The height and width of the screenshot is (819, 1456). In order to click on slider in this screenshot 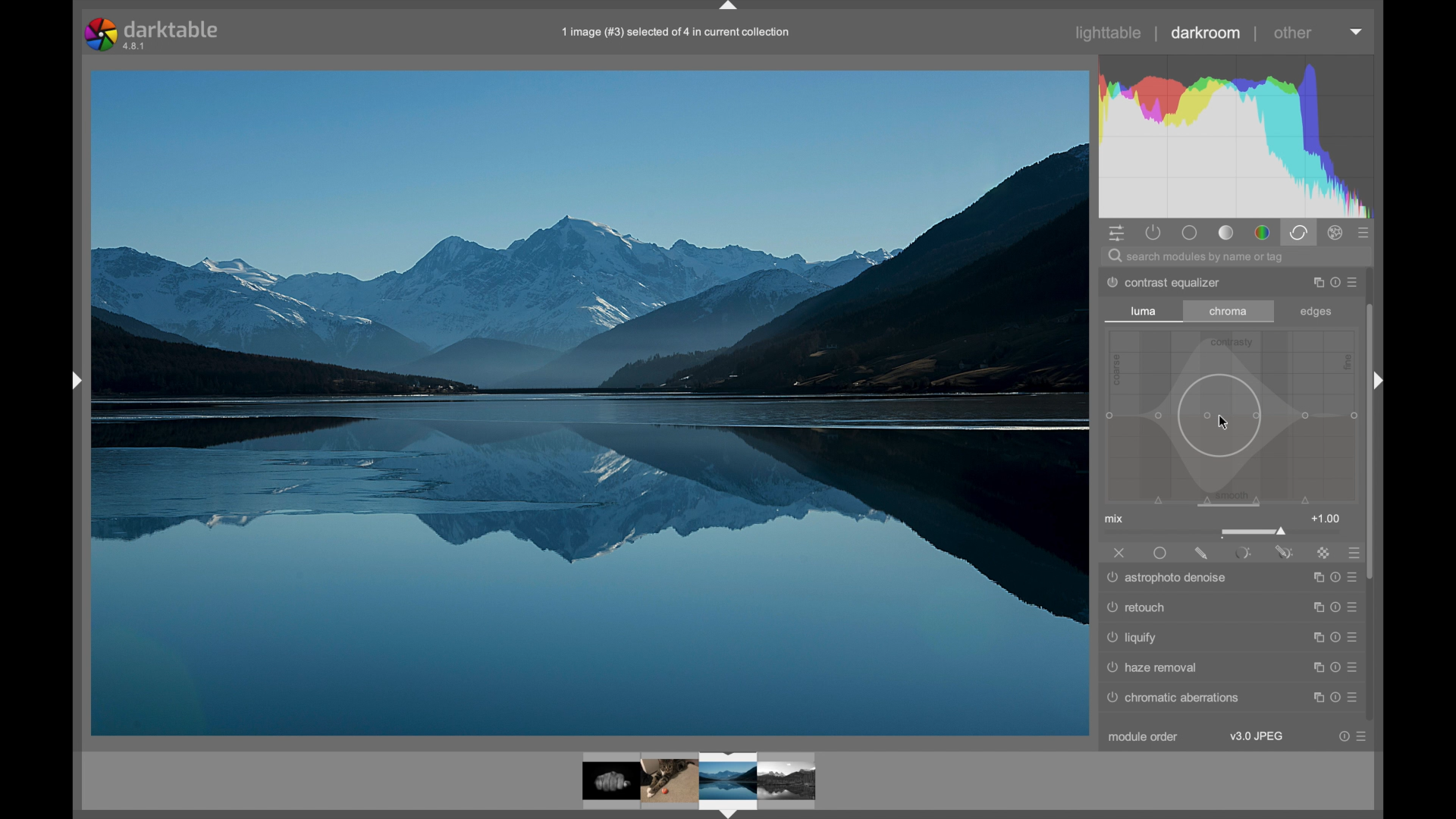, I will do `click(1232, 418)`.